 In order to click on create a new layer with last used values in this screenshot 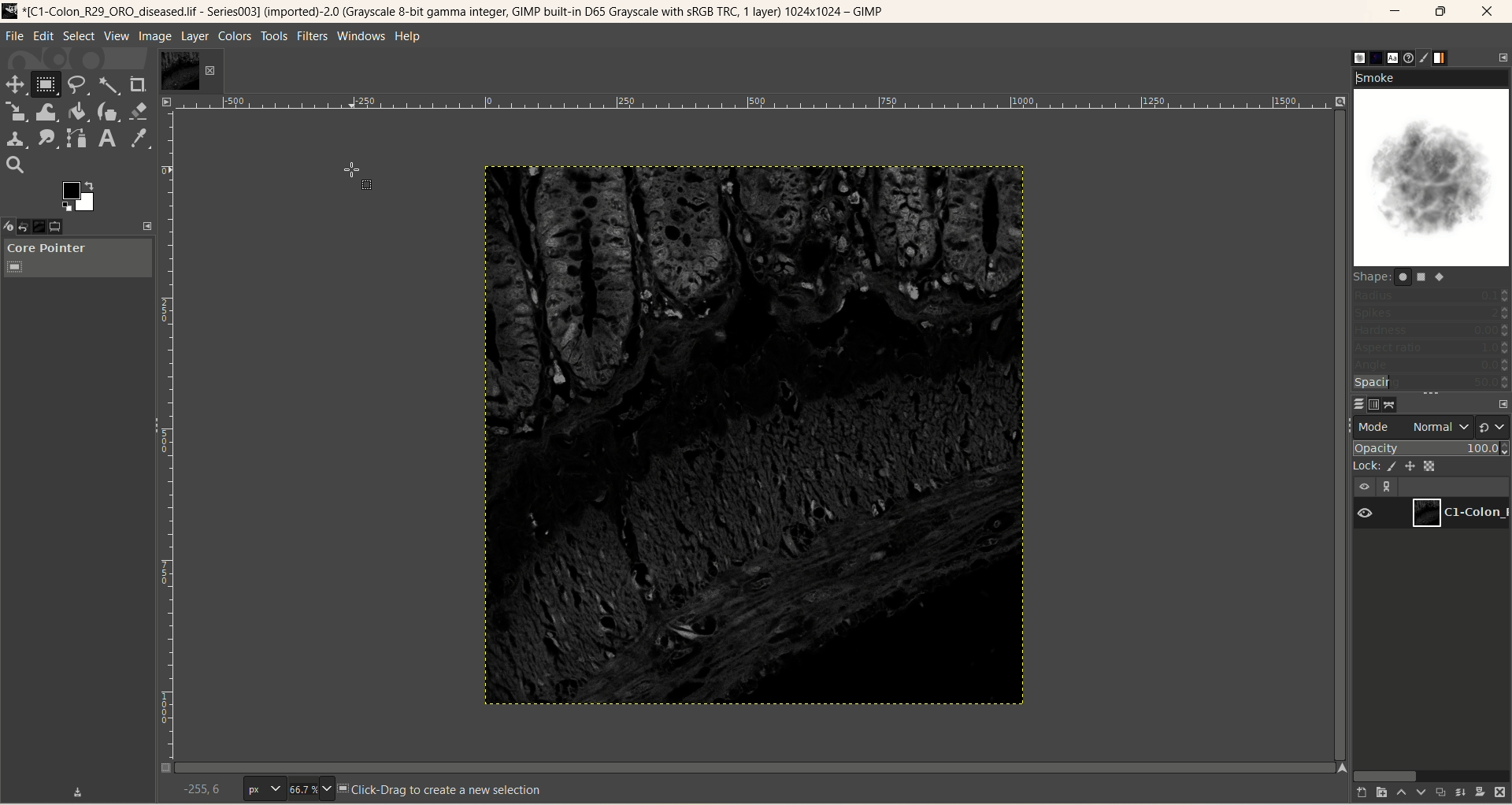, I will do `click(1362, 794)`.